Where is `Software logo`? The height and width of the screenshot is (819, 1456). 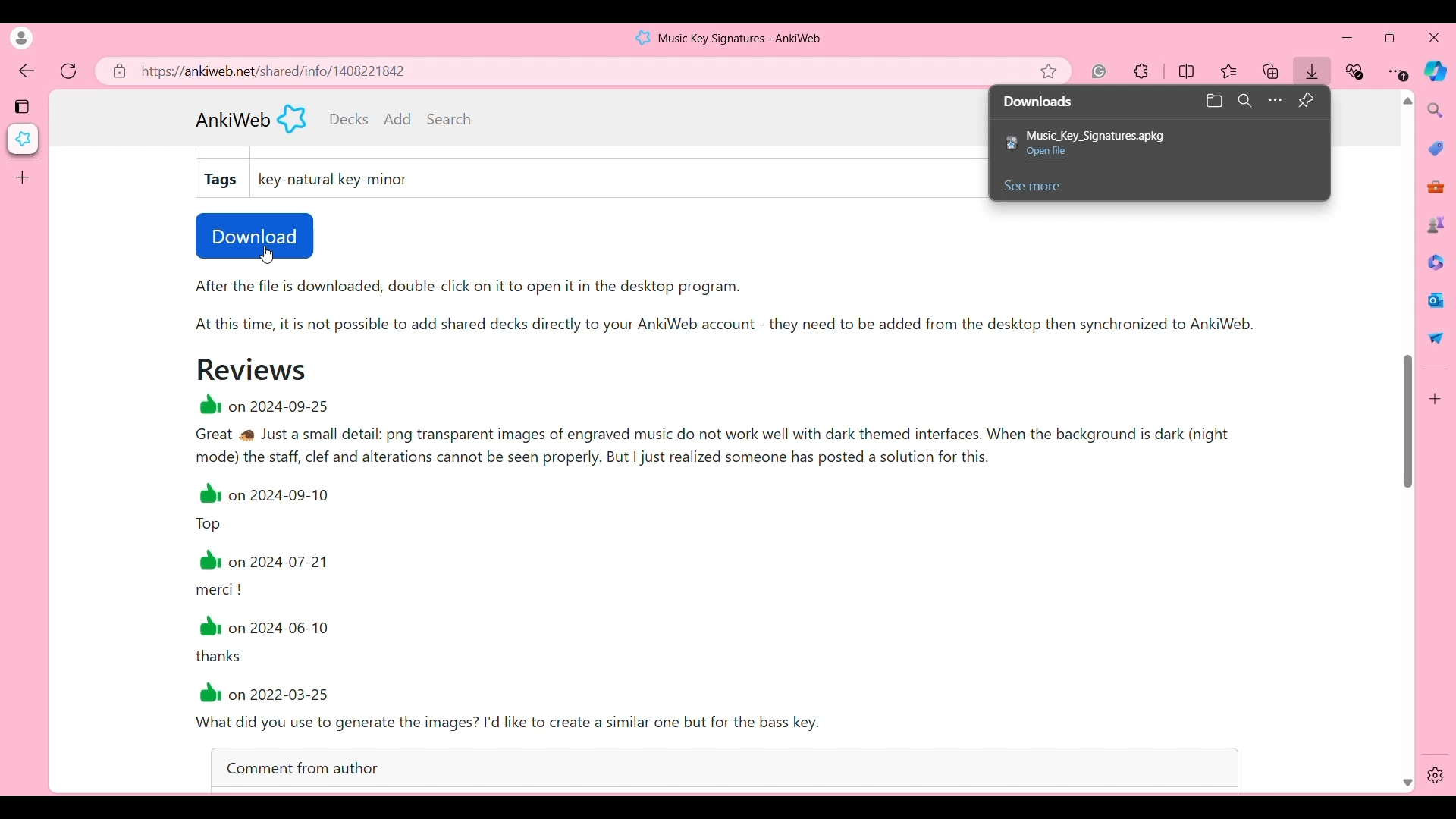 Software logo is located at coordinates (643, 38).